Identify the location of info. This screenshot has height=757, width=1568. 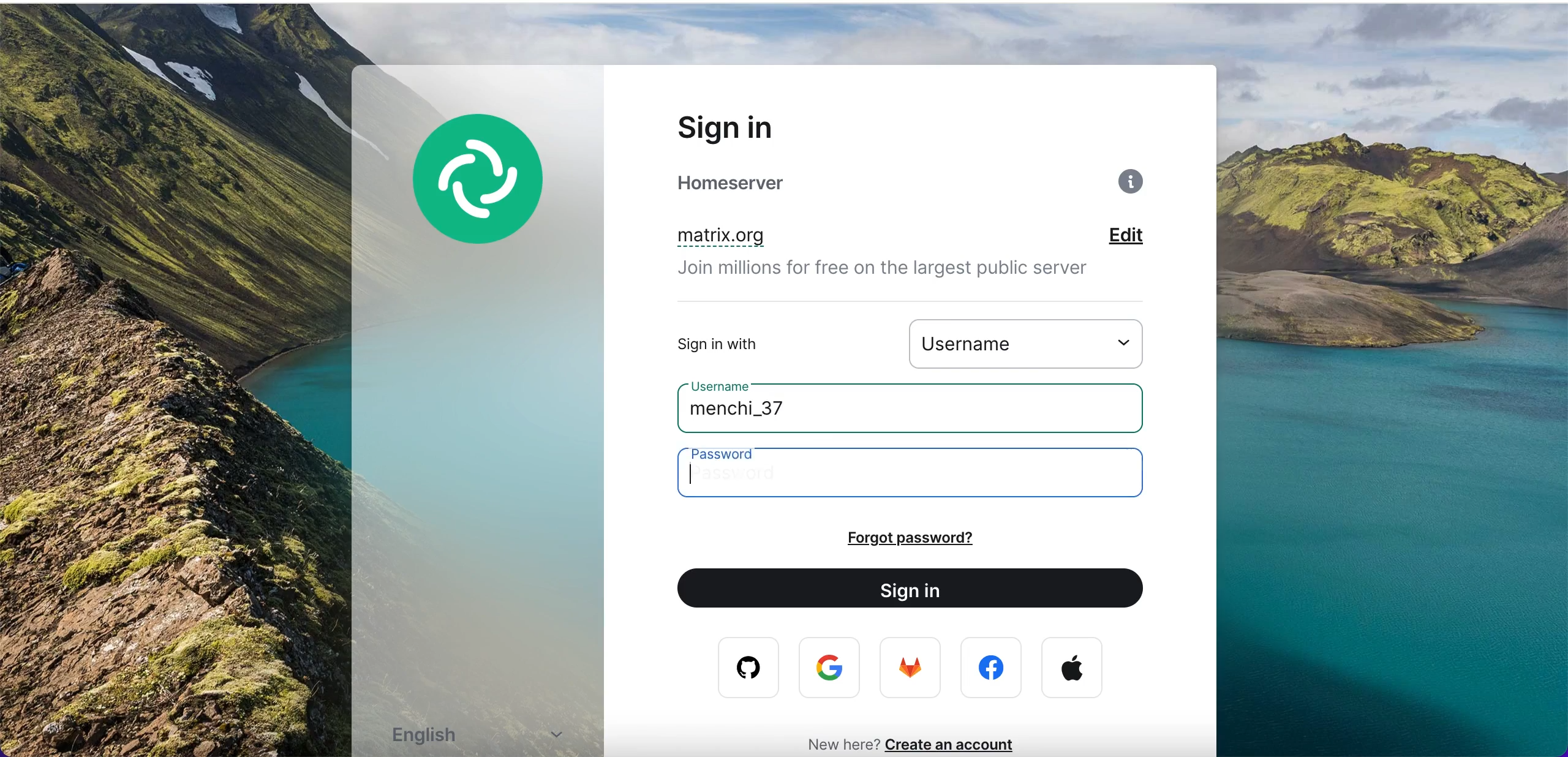
(1134, 186).